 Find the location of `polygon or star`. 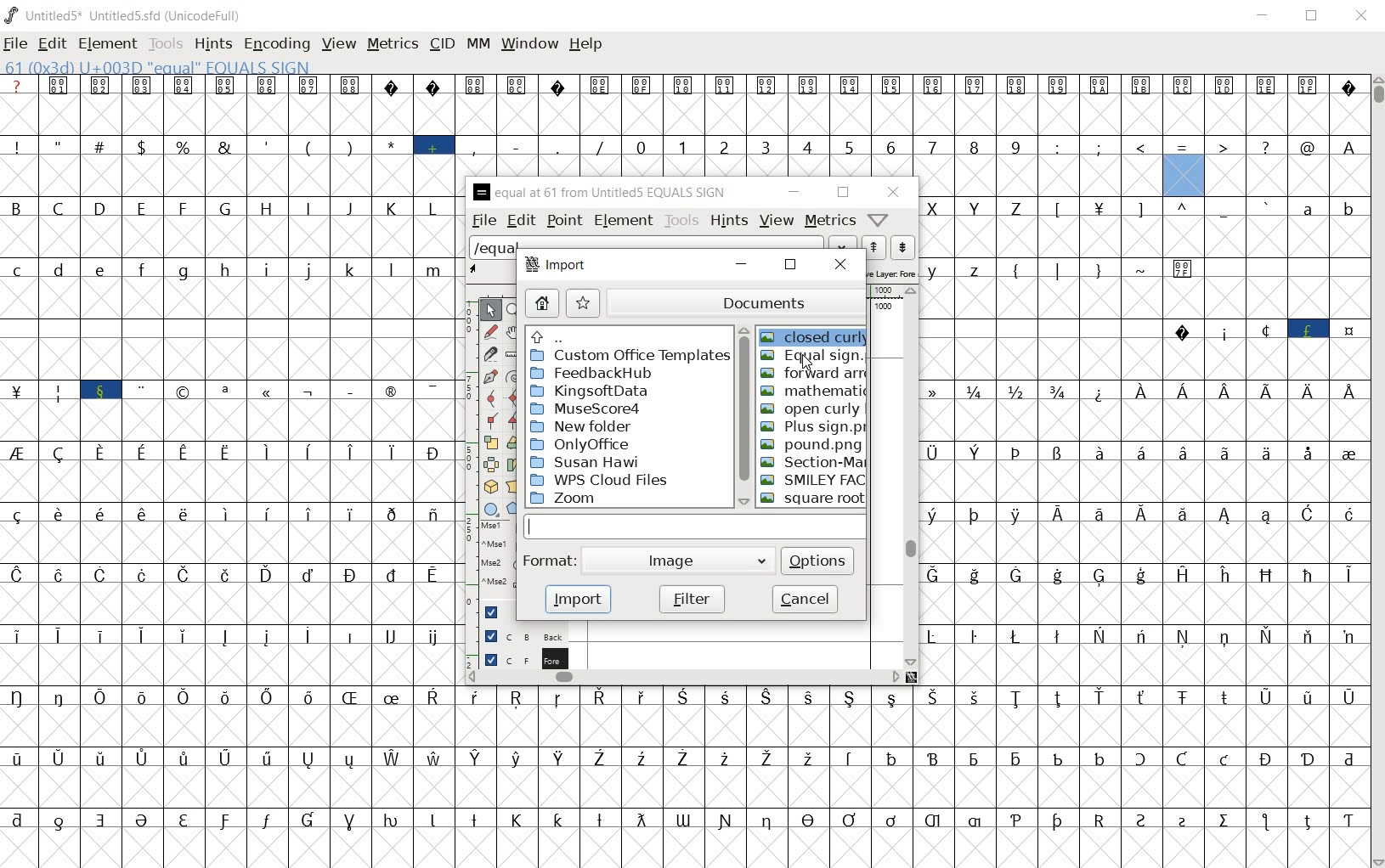

polygon or star is located at coordinates (514, 507).